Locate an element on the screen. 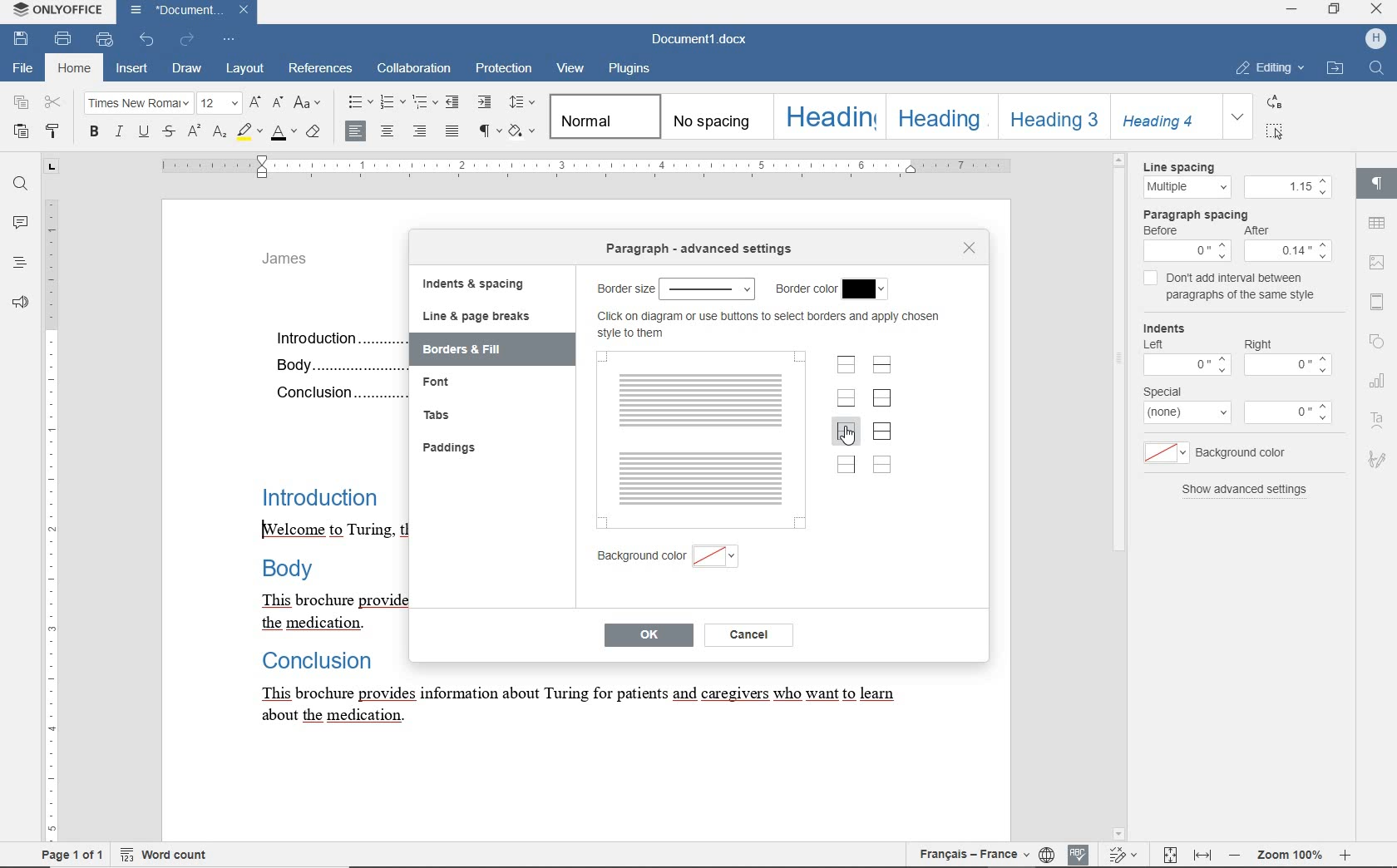 Image resolution: width=1397 pixels, height=868 pixels. Paragraph spacing is located at coordinates (1204, 214).